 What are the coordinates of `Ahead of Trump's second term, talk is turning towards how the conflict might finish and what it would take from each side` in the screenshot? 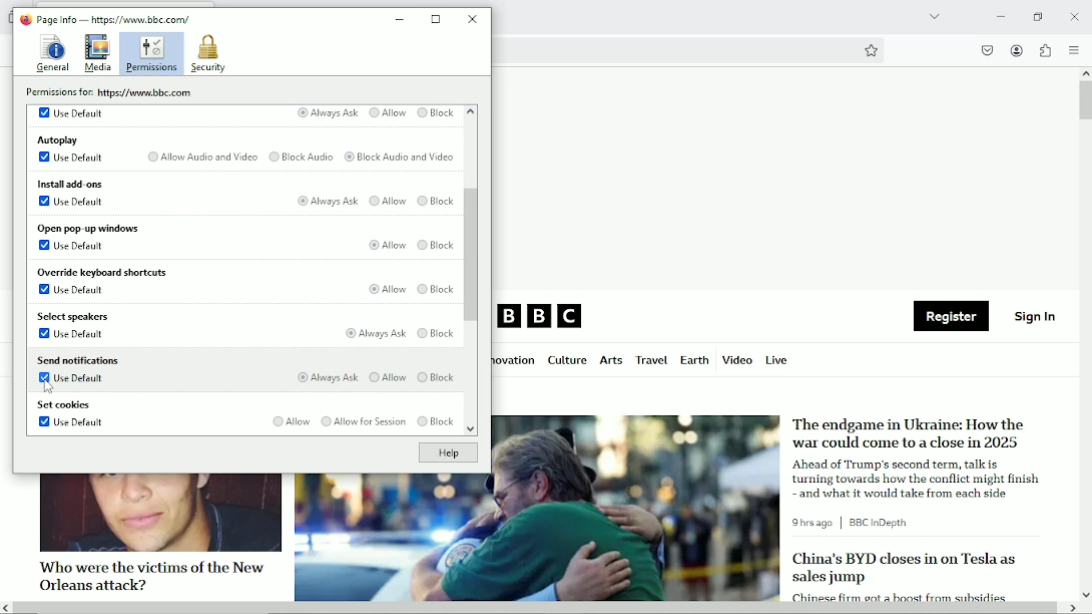 It's located at (919, 478).